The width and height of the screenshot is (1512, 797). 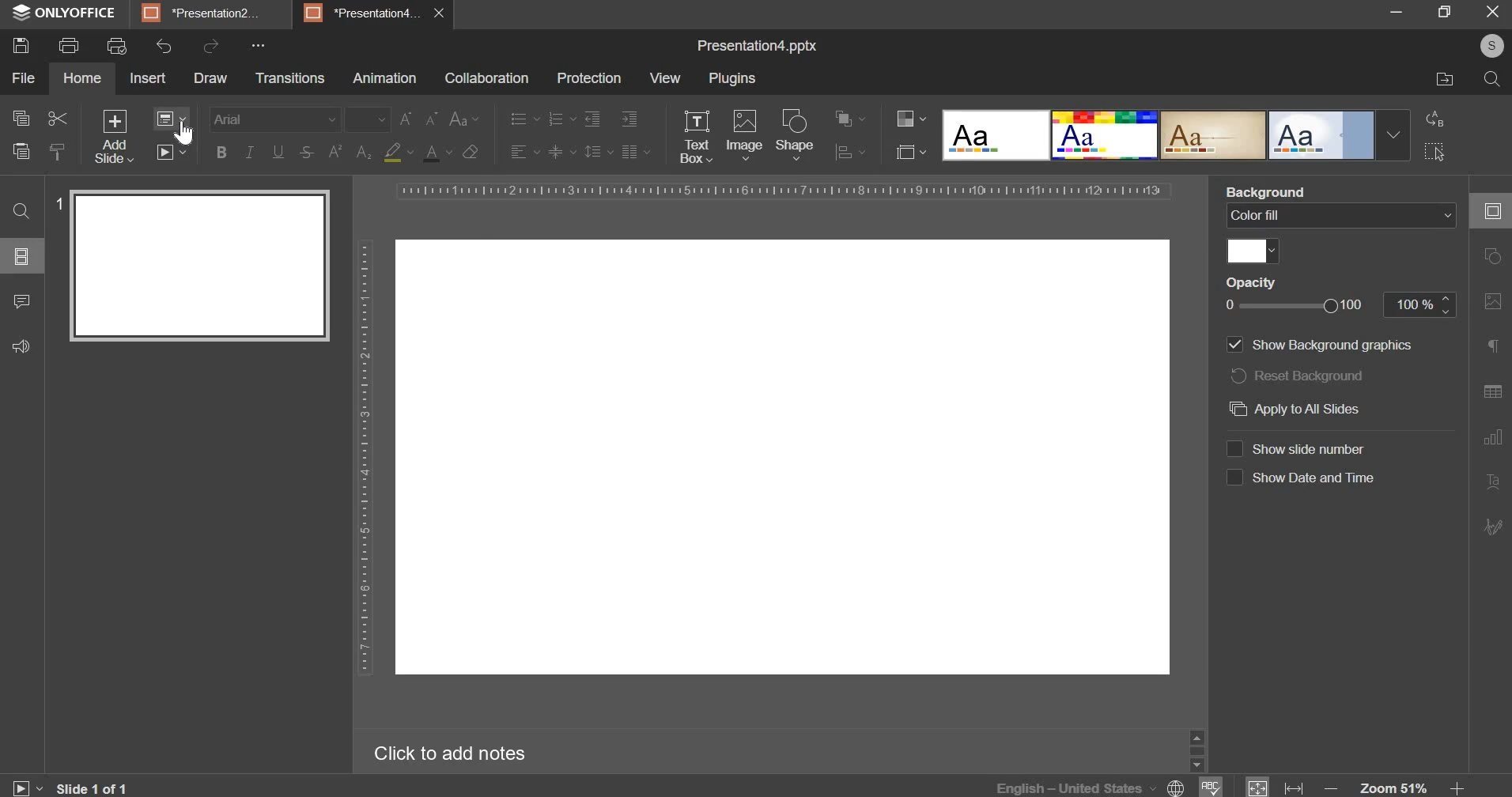 I want to click on paragraph settings, so click(x=1491, y=346).